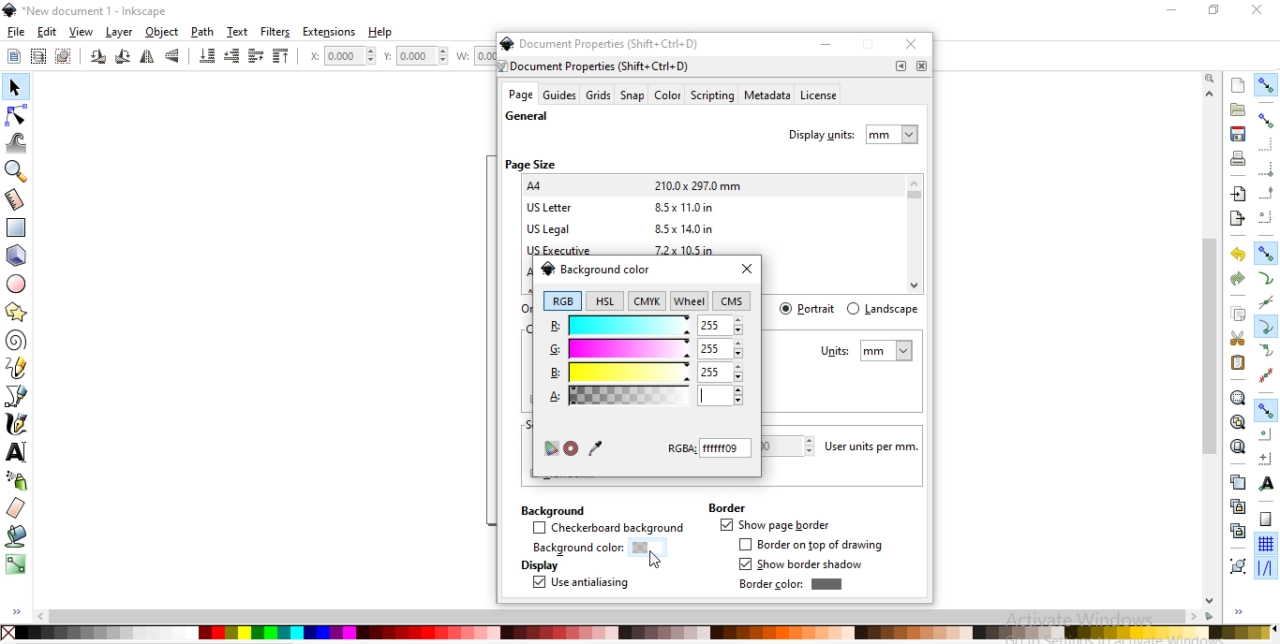 The height and width of the screenshot is (644, 1280). Describe the element at coordinates (815, 545) in the screenshot. I see `border on top of drawing` at that location.